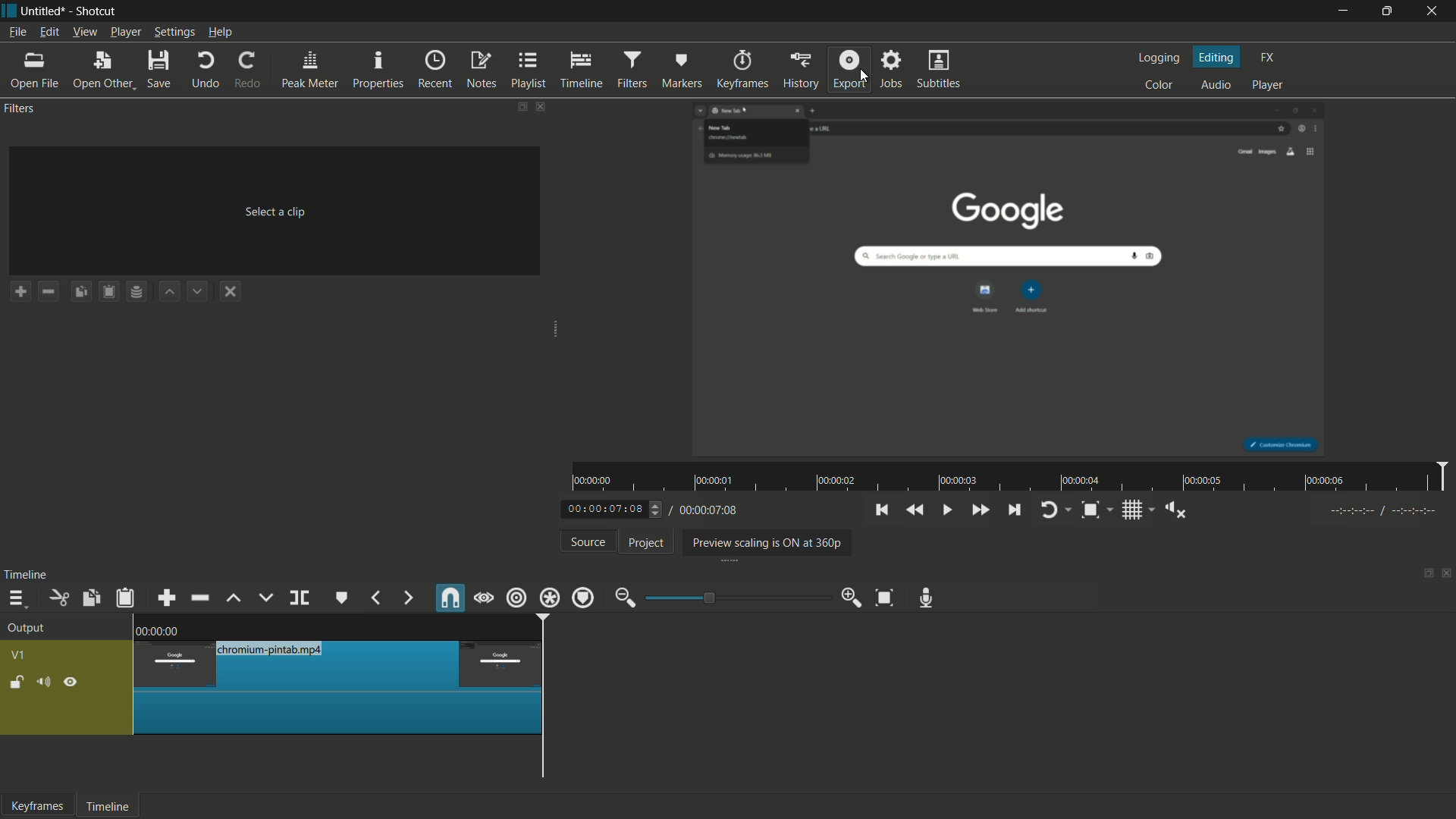  Describe the element at coordinates (481, 70) in the screenshot. I see `notes` at that location.